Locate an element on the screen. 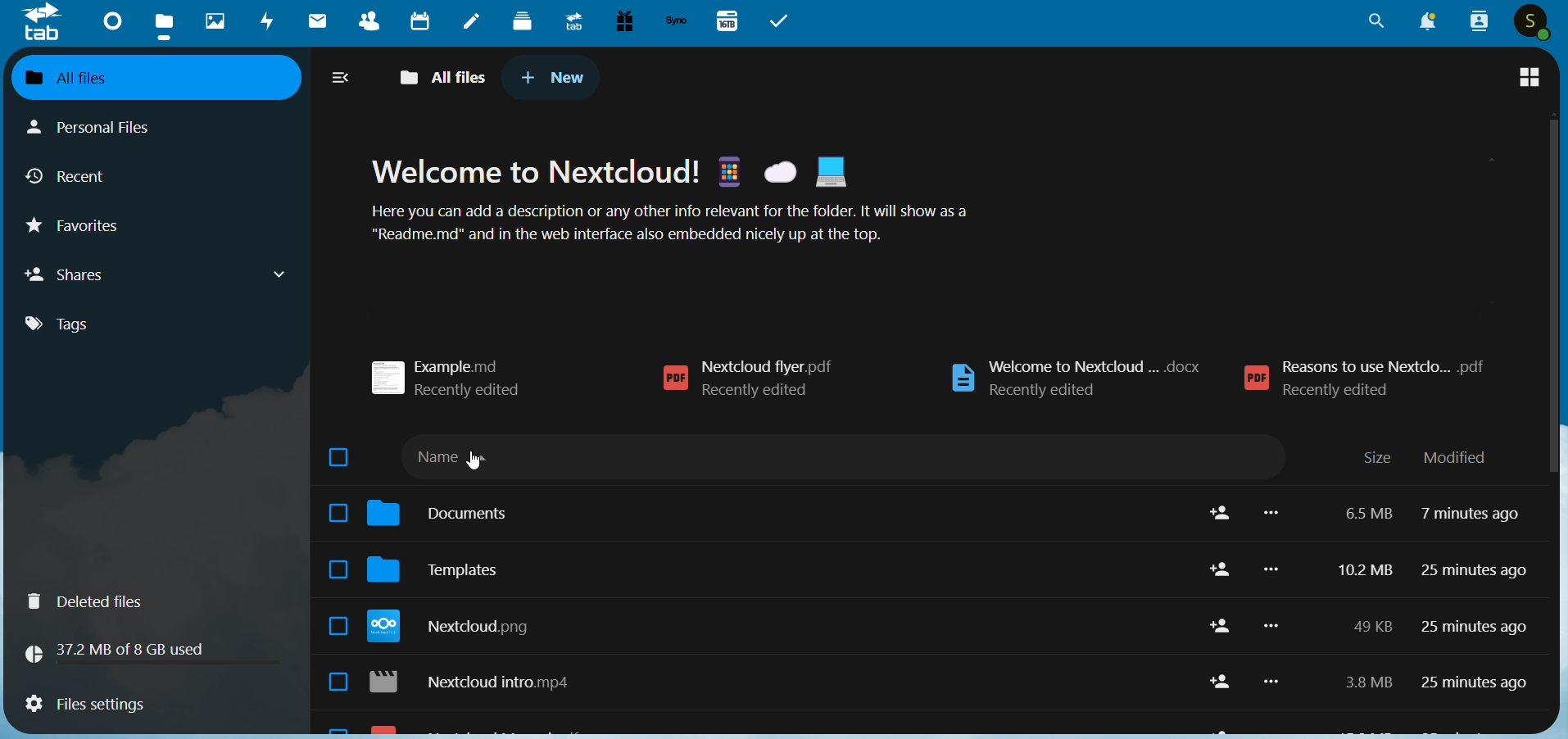 This screenshot has width=1568, height=739. scroll bar is located at coordinates (1553, 299).